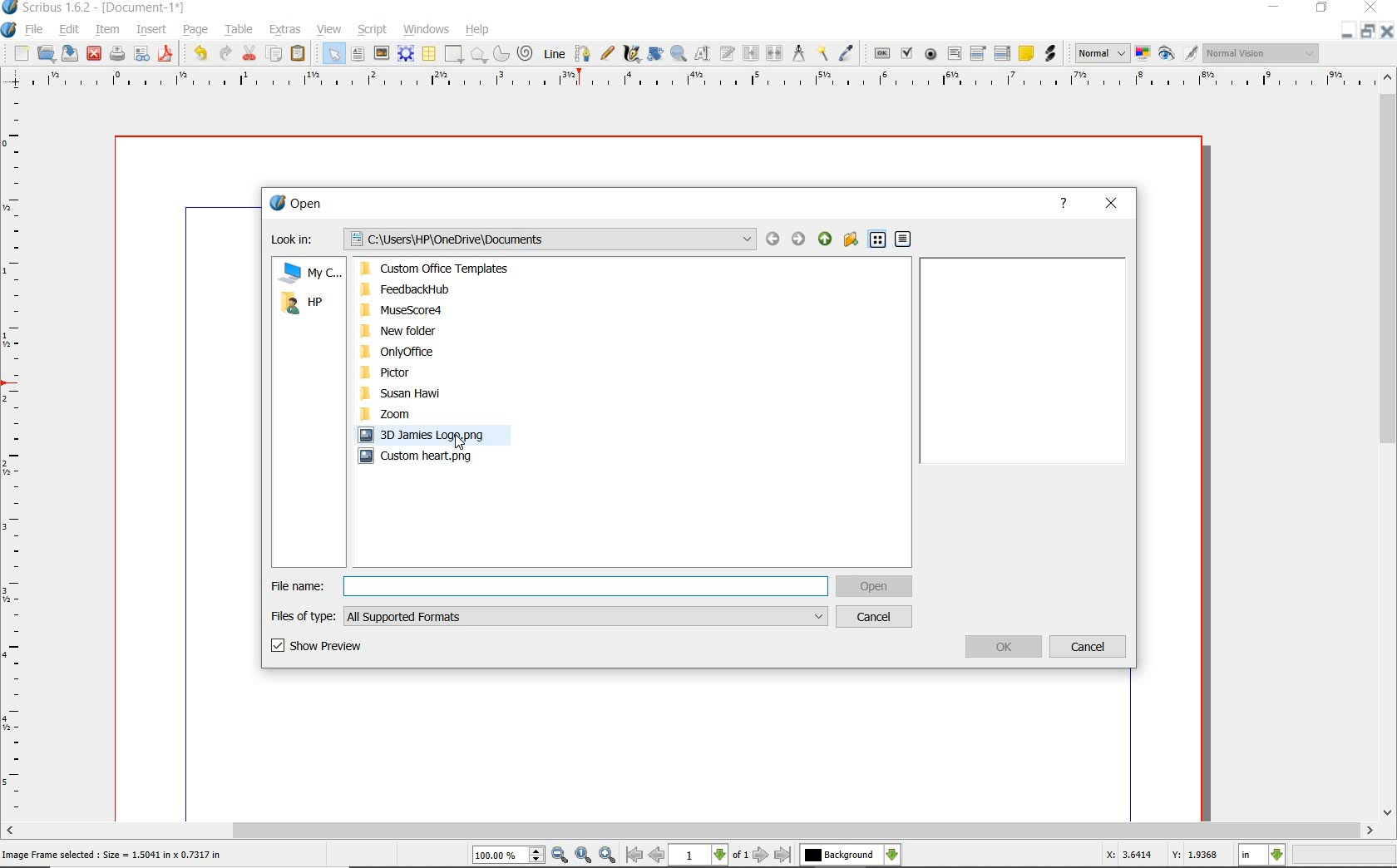  Describe the element at coordinates (275, 55) in the screenshot. I see `copy` at that location.